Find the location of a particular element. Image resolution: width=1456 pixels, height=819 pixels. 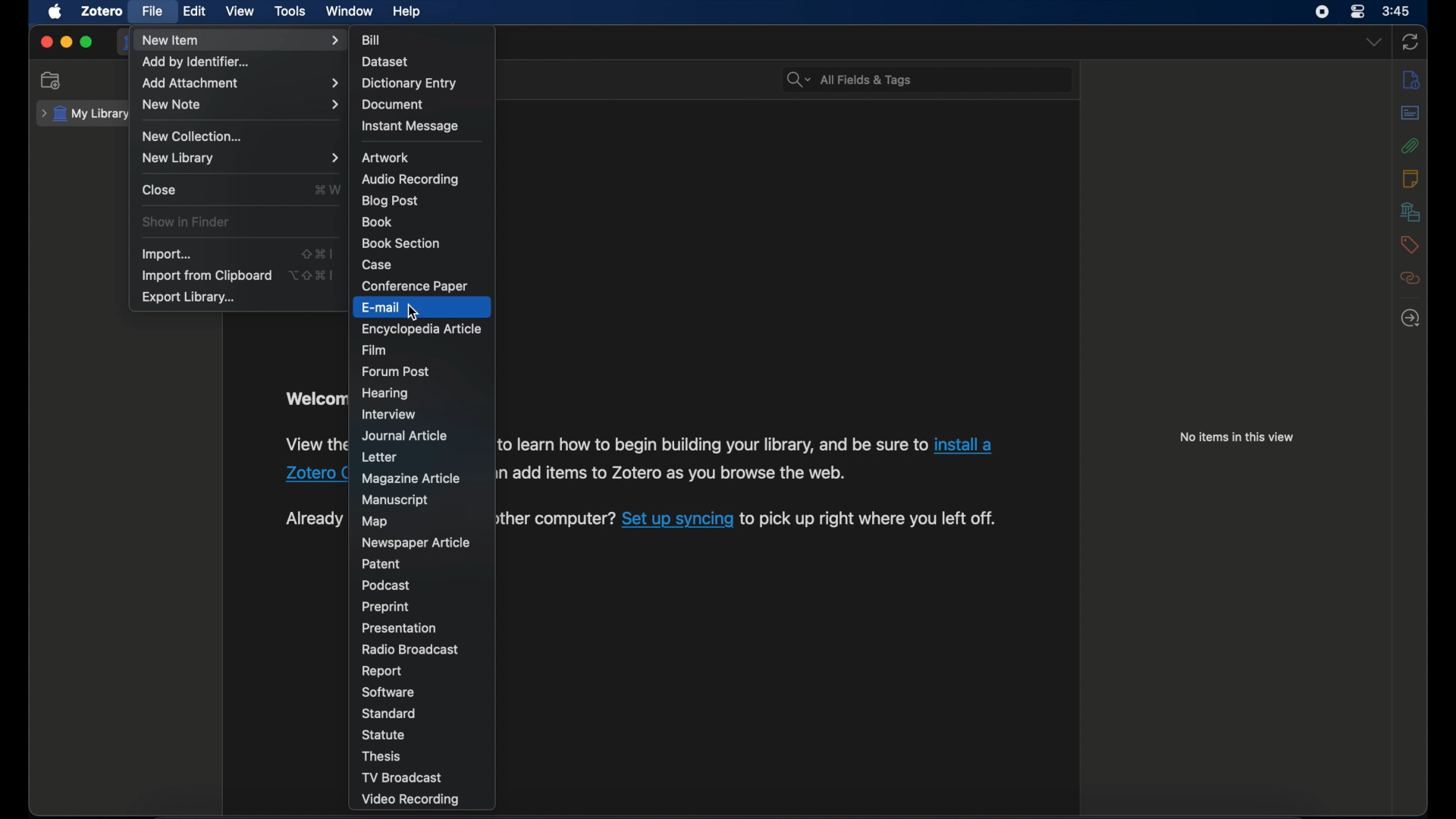

blog psot is located at coordinates (388, 201).